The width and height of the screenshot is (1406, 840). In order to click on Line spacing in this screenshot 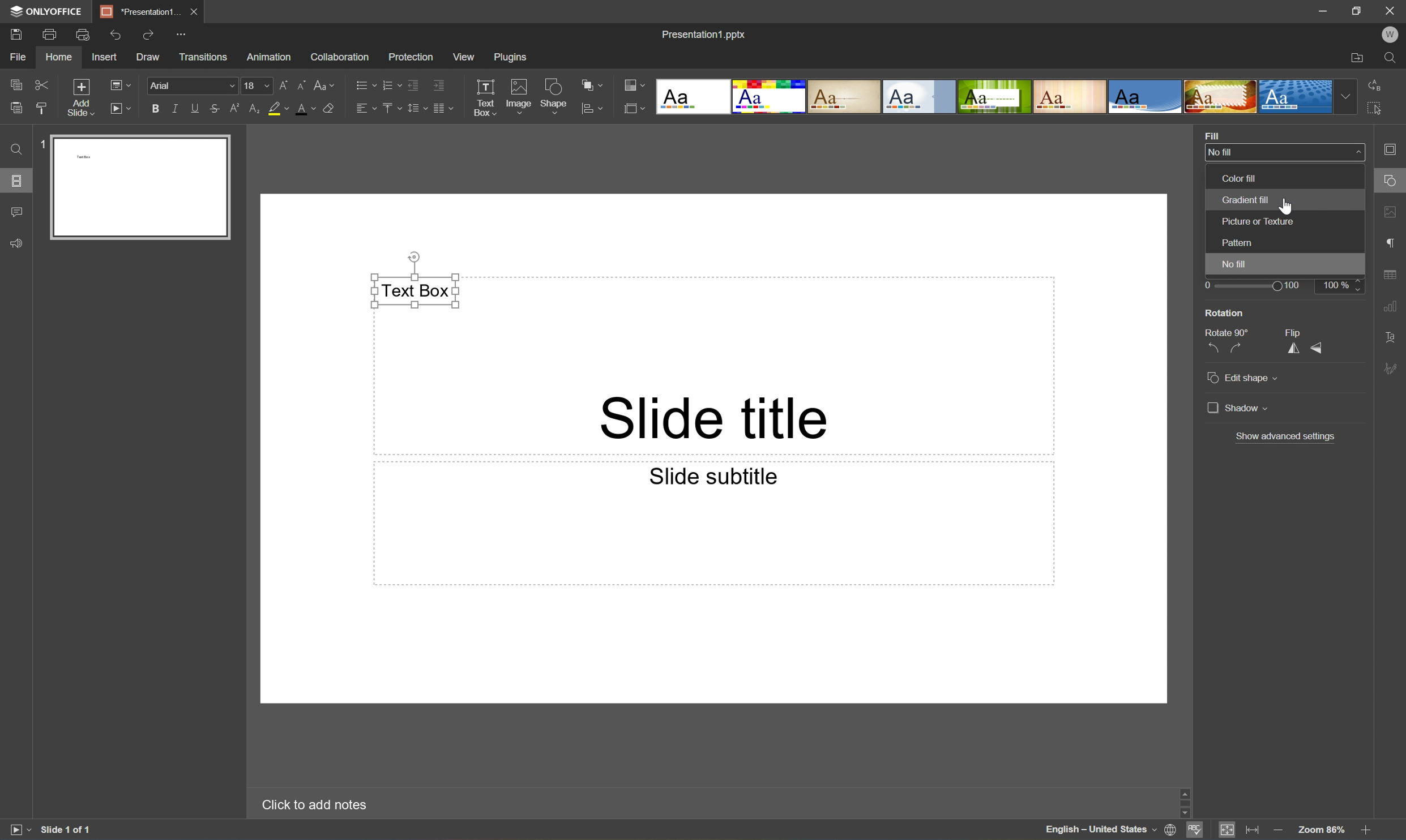, I will do `click(412, 111)`.